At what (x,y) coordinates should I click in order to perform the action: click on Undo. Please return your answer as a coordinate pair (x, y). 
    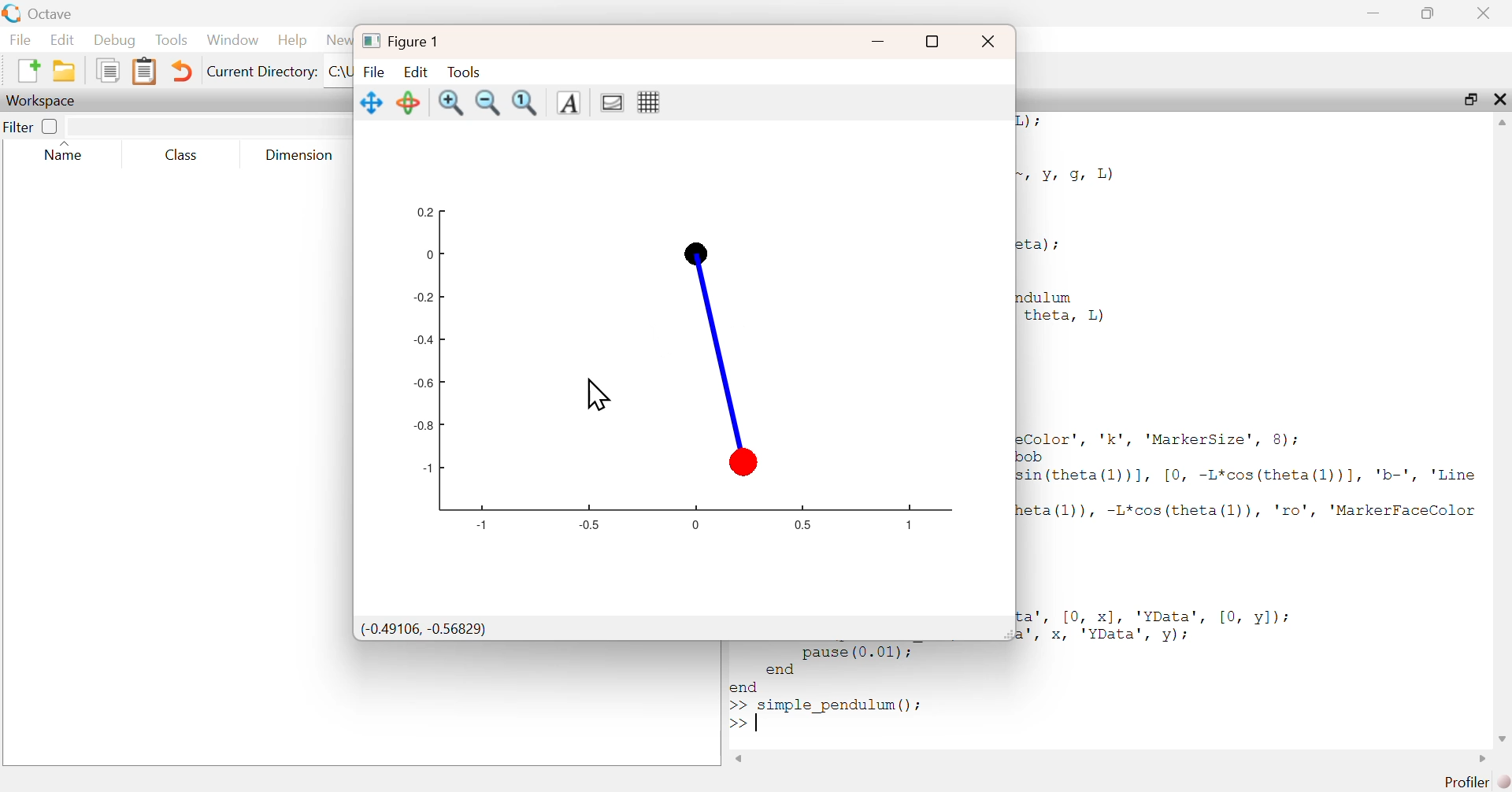
    Looking at the image, I should click on (183, 73).